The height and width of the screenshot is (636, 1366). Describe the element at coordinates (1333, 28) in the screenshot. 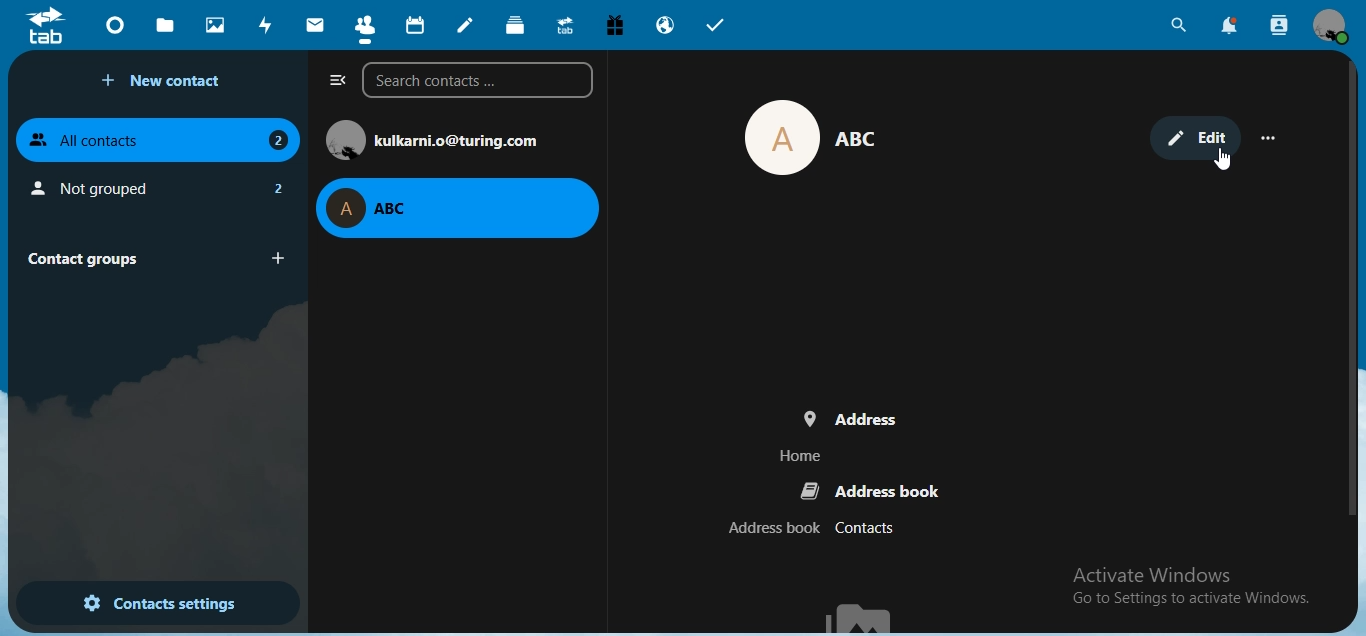

I see `view profile` at that location.